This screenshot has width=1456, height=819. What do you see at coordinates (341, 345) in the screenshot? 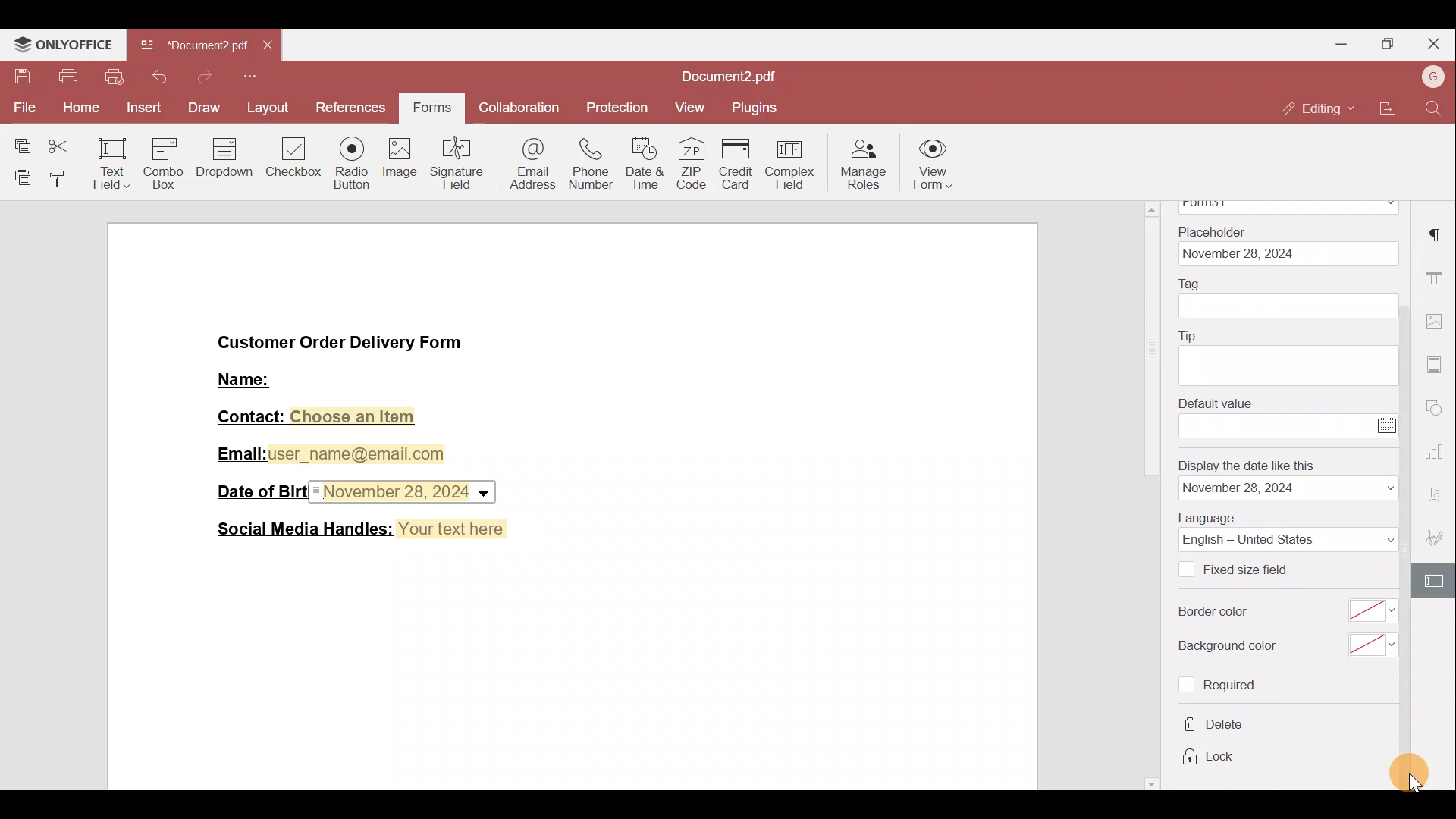
I see `Customer Order Delivery Form|` at bounding box center [341, 345].